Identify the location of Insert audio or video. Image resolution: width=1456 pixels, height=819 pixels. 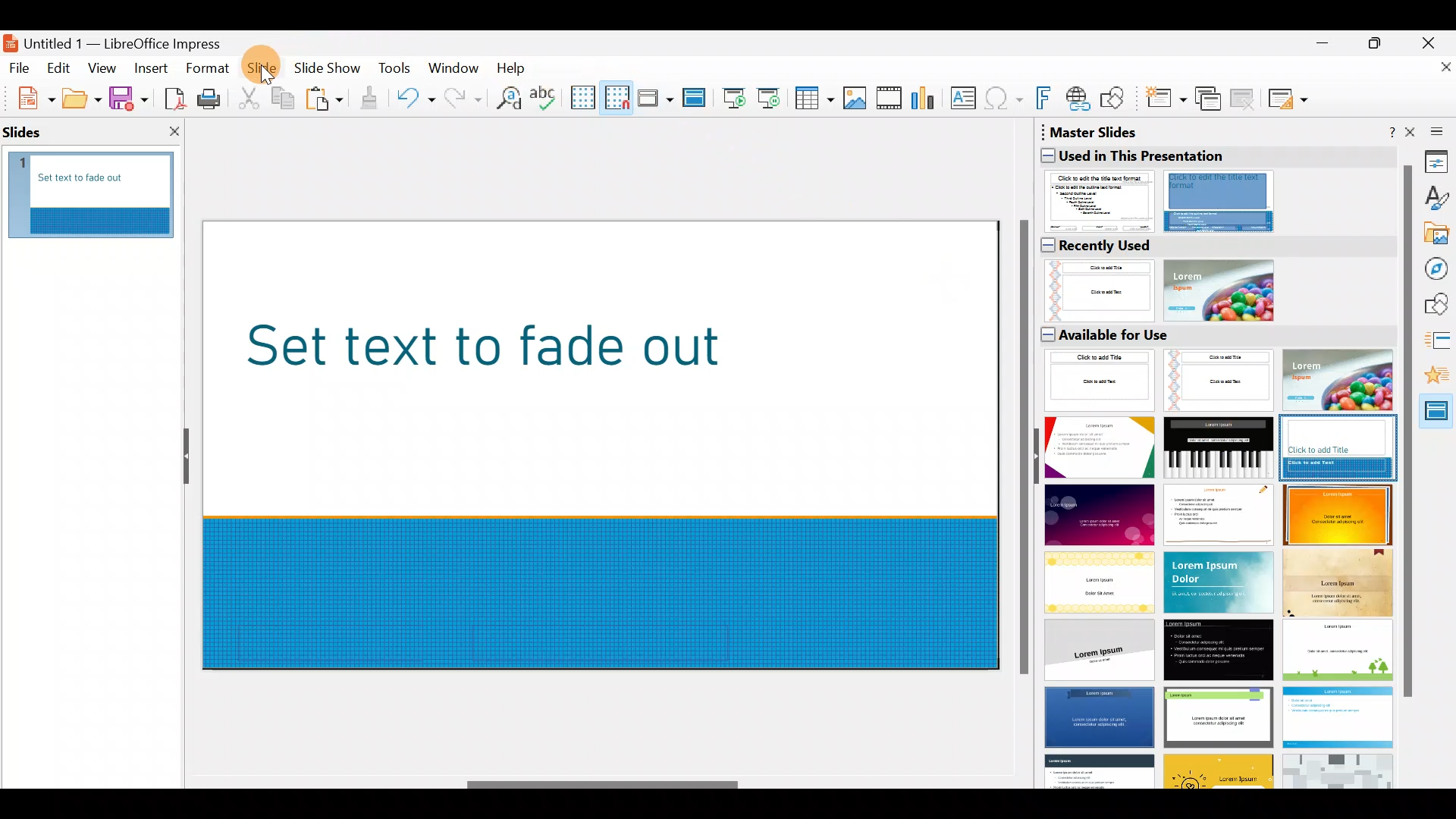
(890, 101).